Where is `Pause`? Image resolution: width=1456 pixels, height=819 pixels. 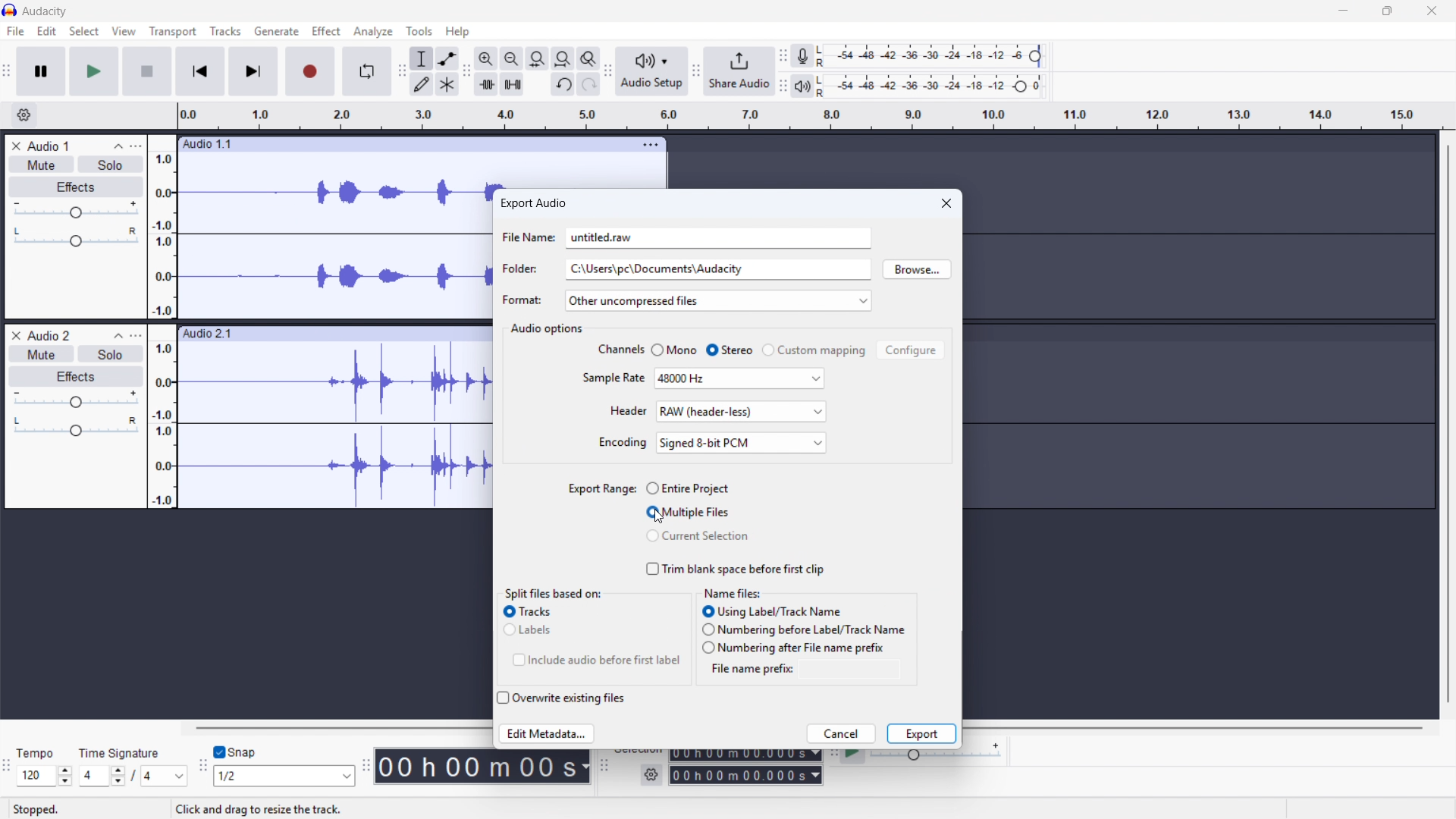 Pause is located at coordinates (41, 71).